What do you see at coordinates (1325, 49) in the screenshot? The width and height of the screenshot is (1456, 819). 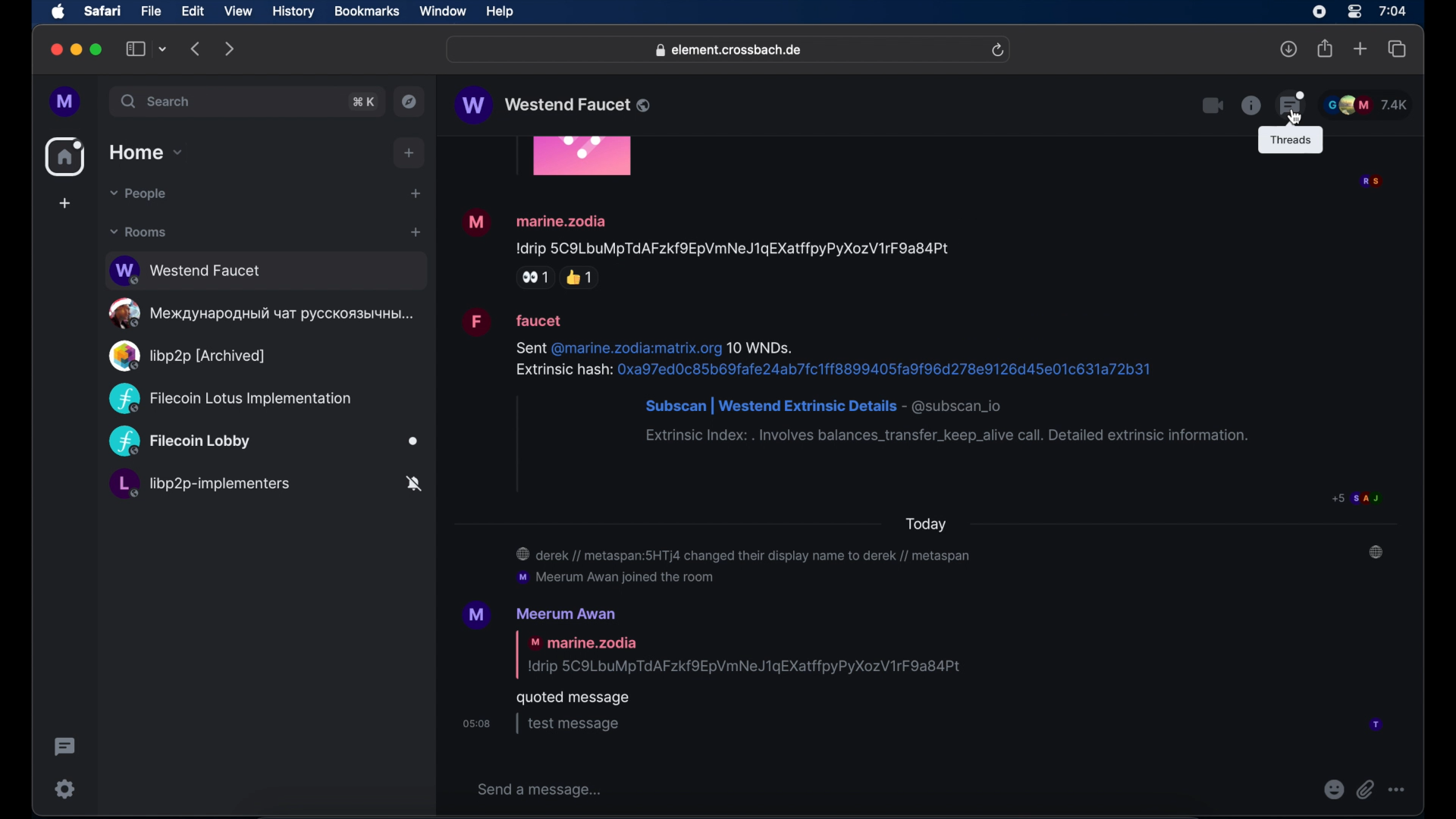 I see `share` at bounding box center [1325, 49].